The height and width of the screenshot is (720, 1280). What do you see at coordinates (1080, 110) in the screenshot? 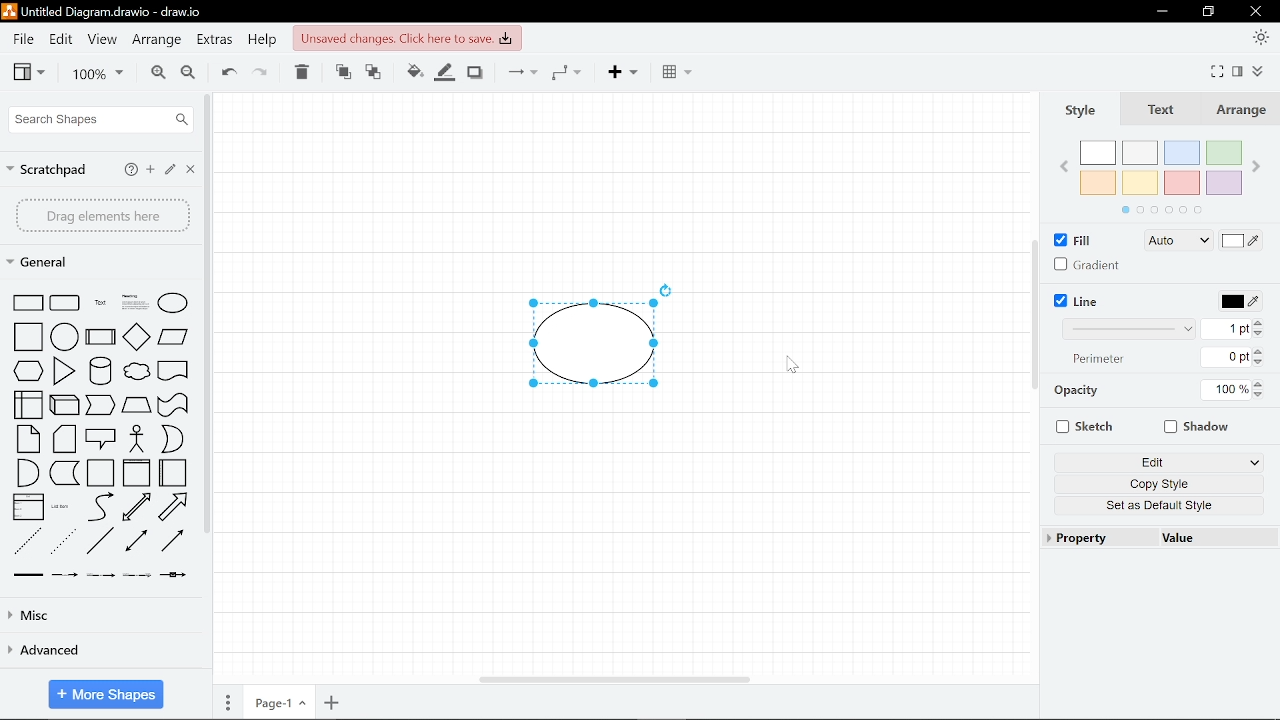
I see `Style` at bounding box center [1080, 110].